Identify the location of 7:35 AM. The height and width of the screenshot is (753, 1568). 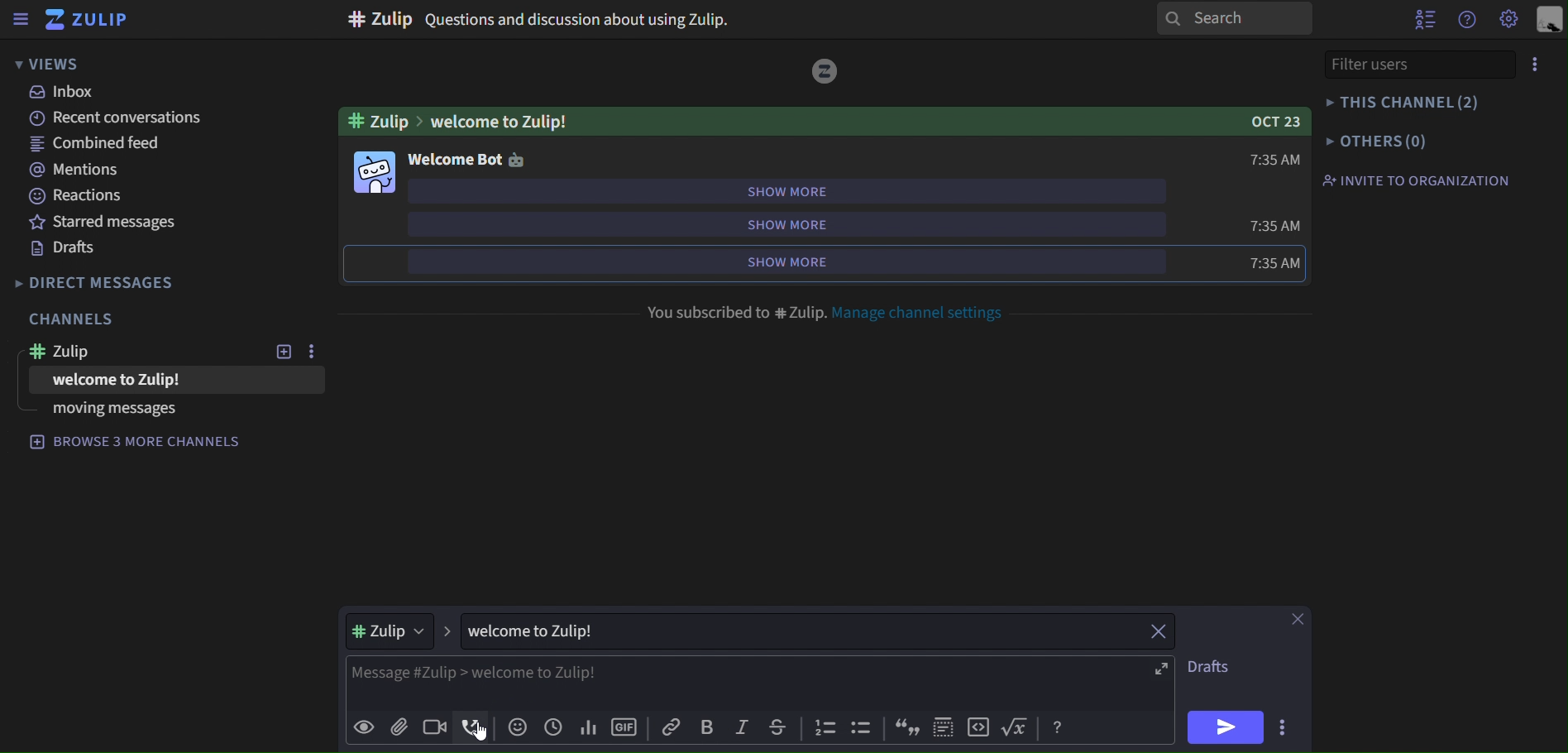
(1274, 242).